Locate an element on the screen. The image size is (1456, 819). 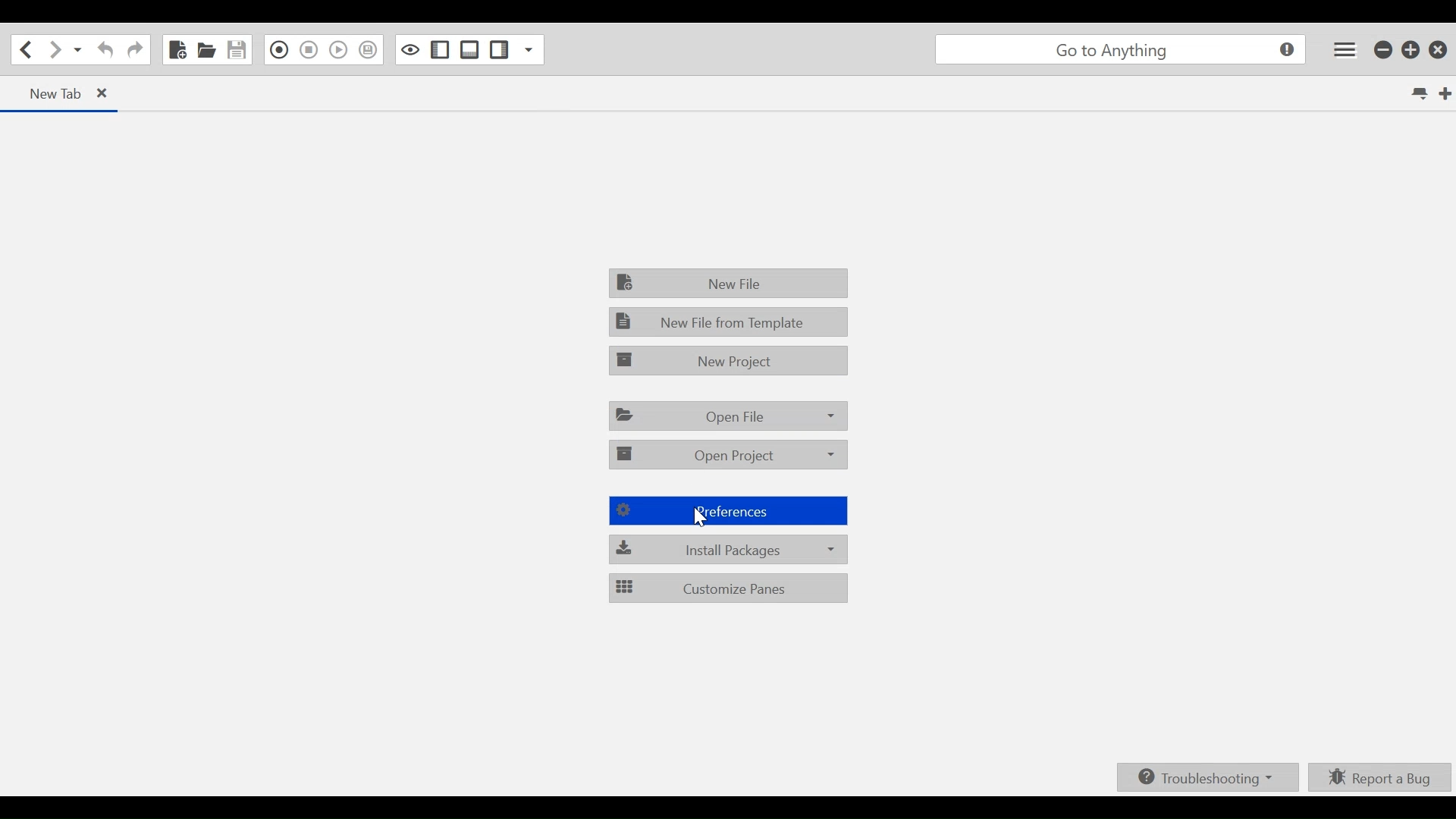
Show/Hide Left Pane is located at coordinates (441, 50).